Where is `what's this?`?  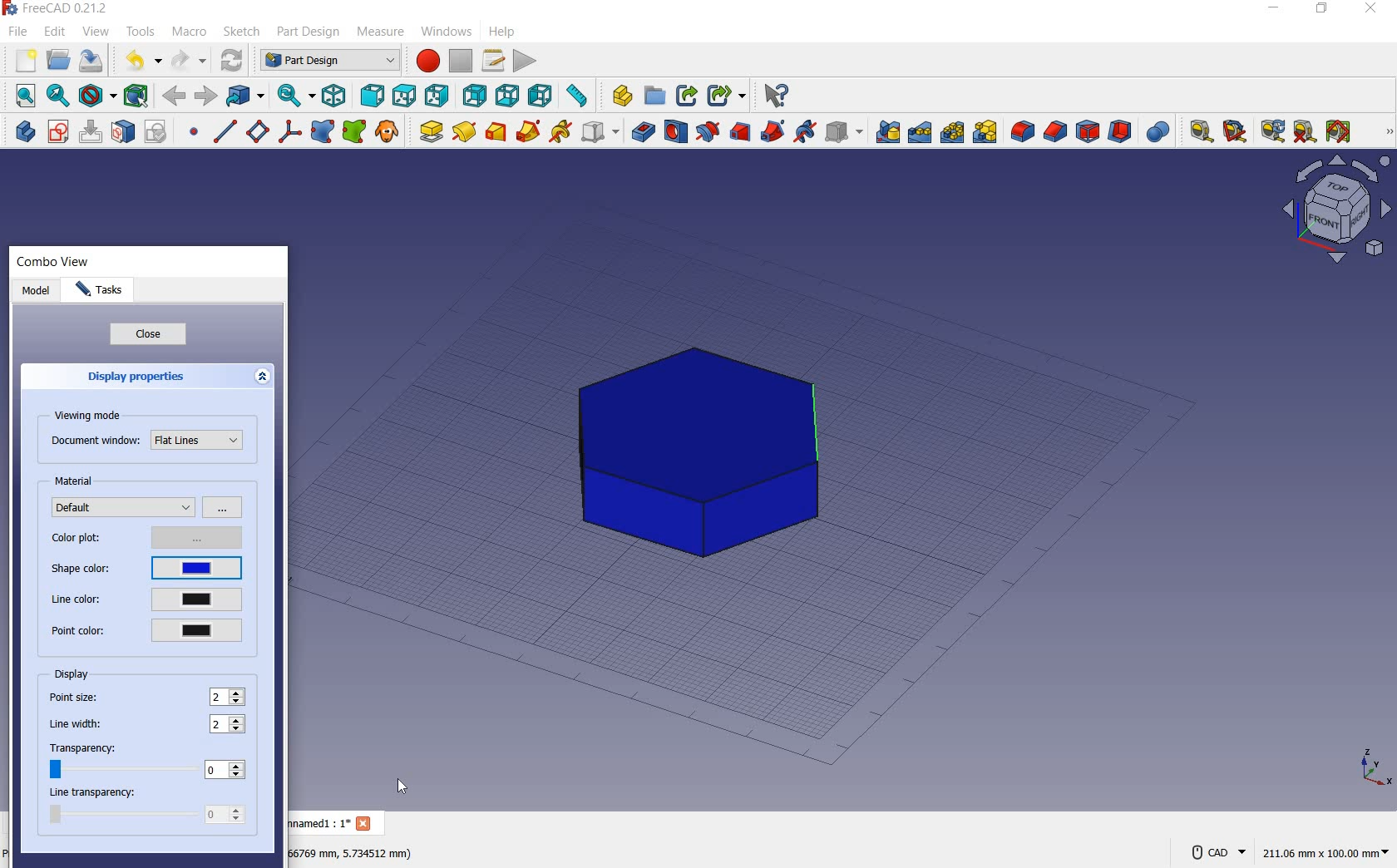 what's this? is located at coordinates (775, 96).